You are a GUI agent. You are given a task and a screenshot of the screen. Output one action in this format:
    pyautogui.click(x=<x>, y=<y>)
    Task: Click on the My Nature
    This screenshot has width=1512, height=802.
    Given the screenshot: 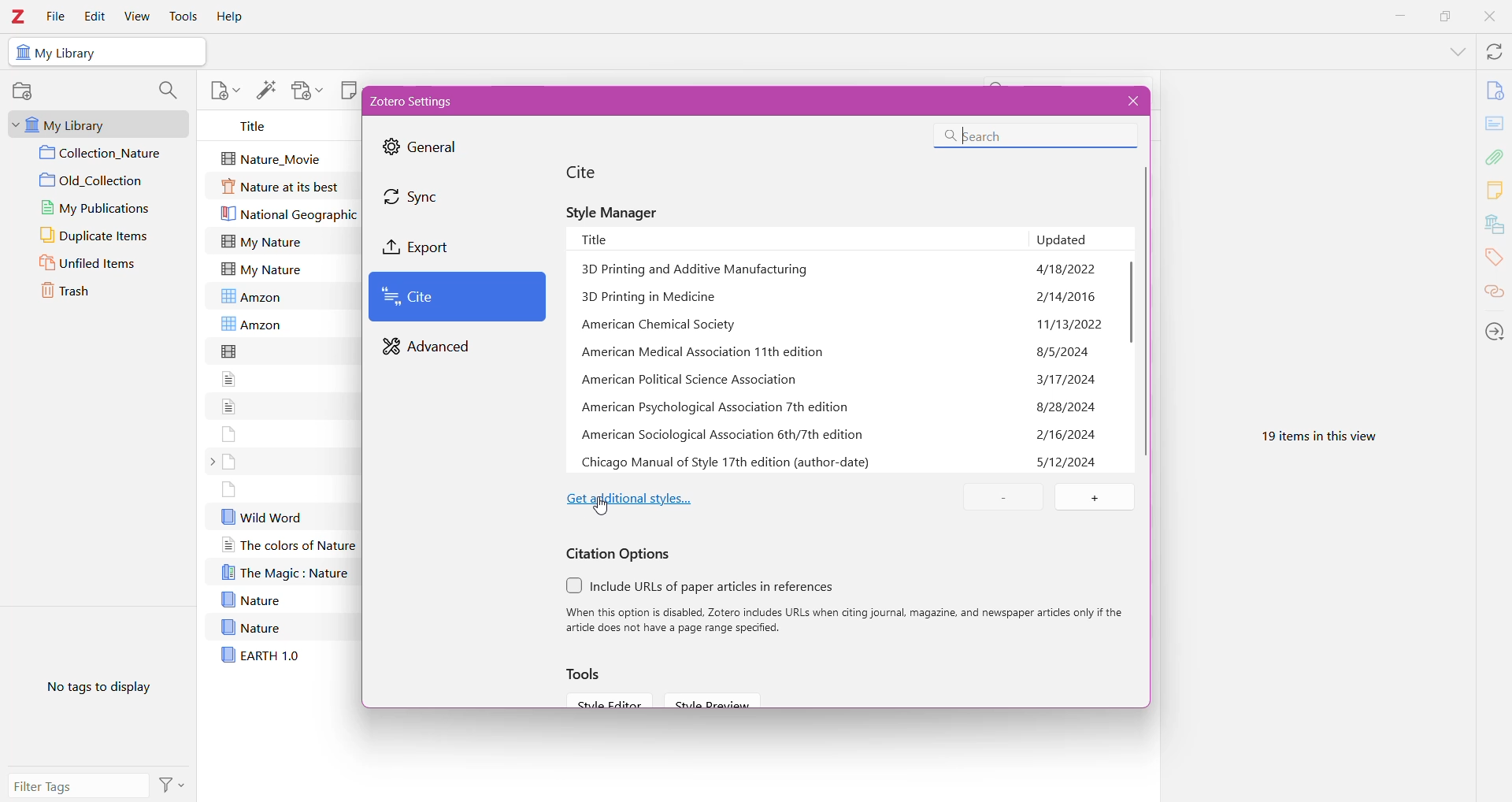 What is the action you would take?
    pyautogui.click(x=261, y=241)
    